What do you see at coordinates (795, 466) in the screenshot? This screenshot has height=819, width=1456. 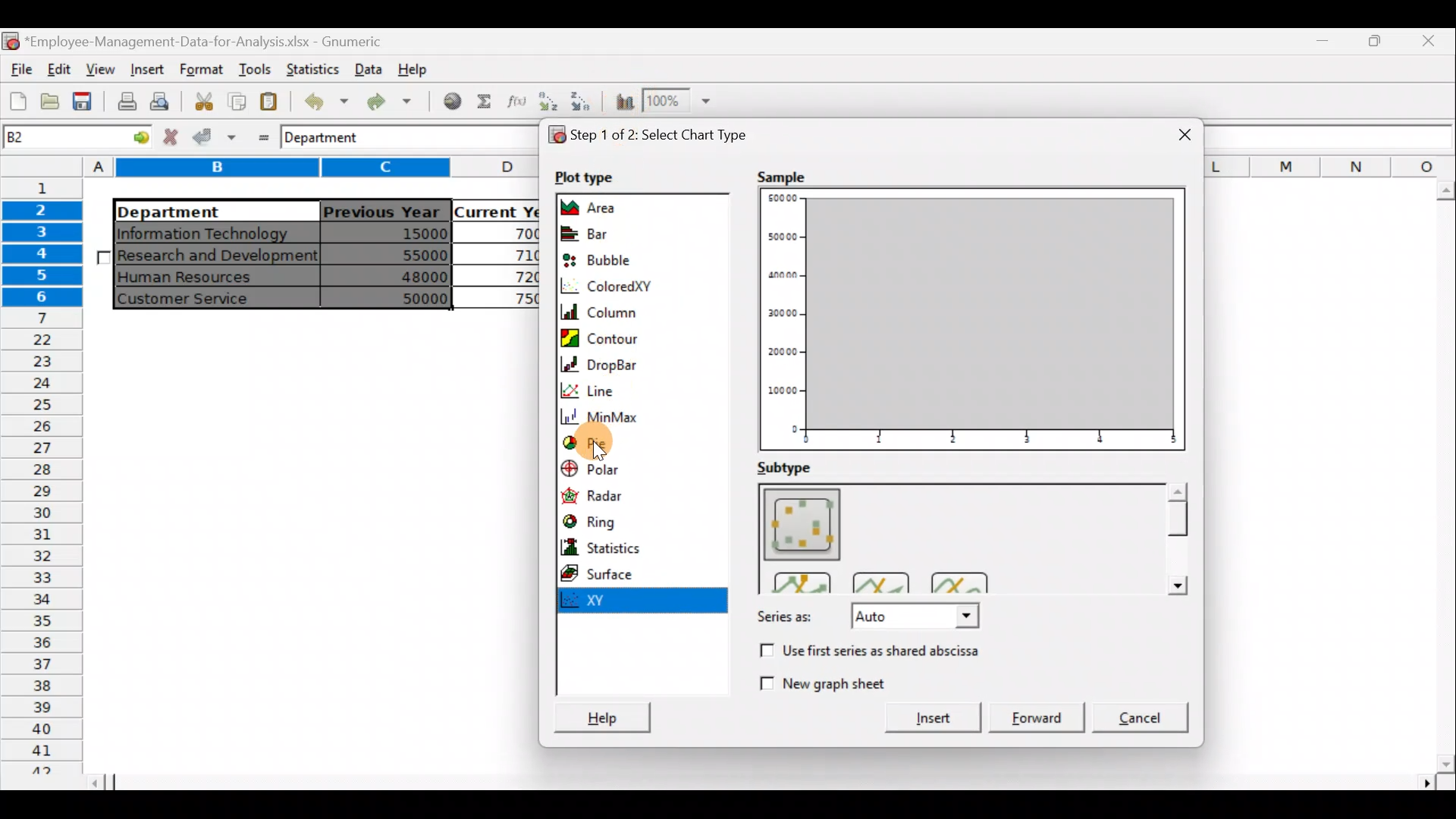 I see `Sub type` at bounding box center [795, 466].